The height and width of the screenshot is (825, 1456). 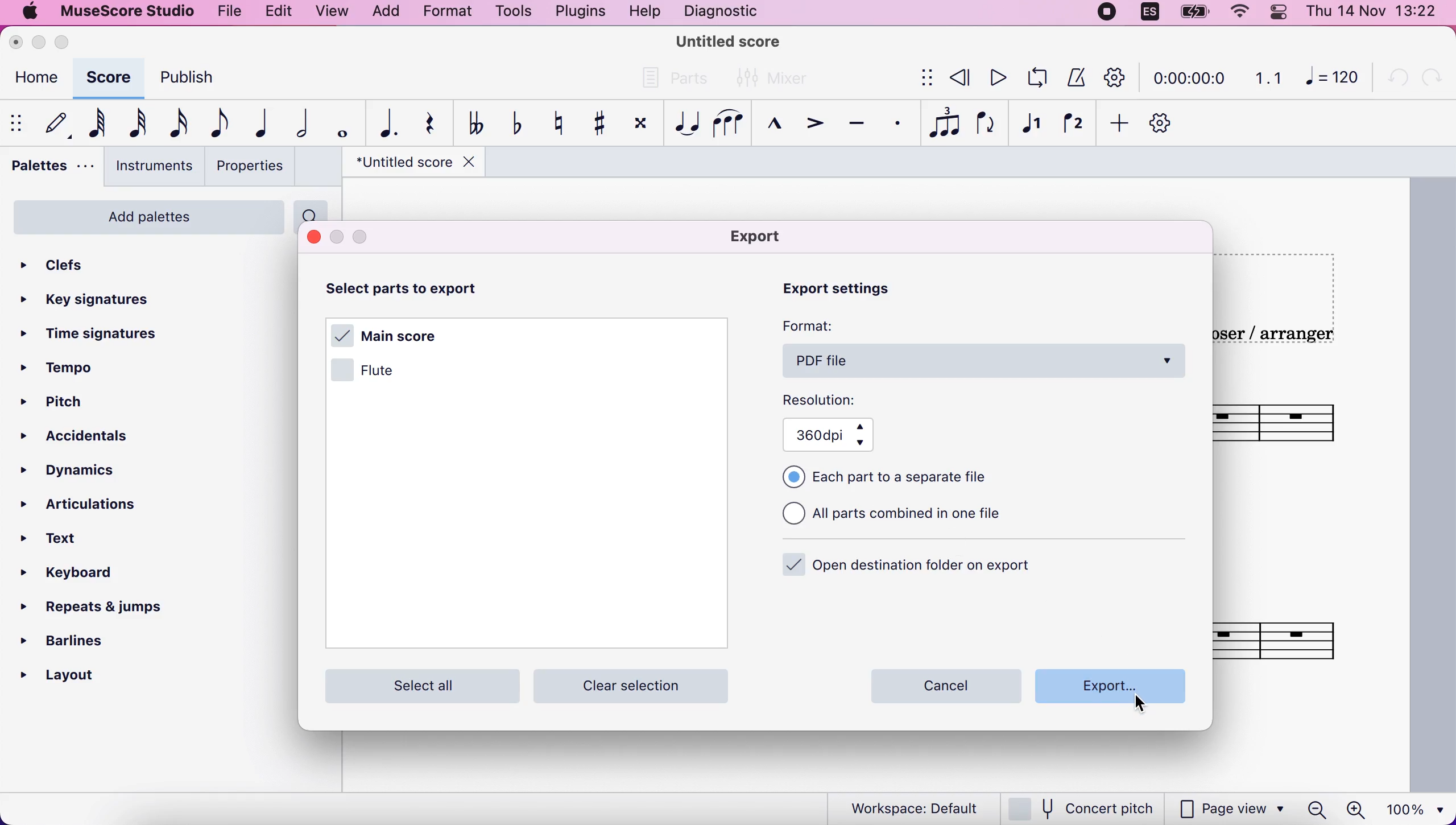 I want to click on 1.1, so click(x=1267, y=79).